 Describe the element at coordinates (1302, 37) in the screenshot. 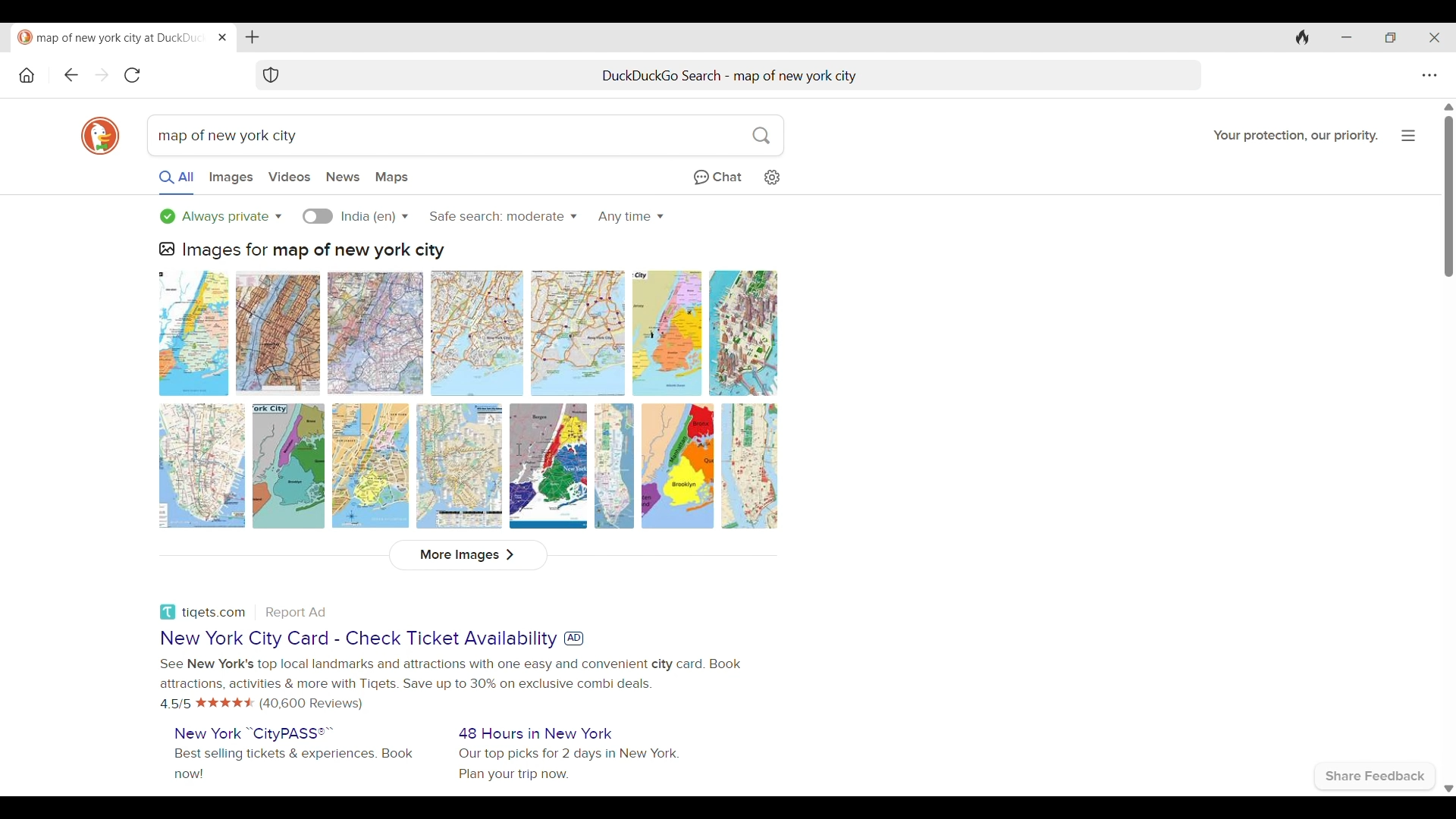

I see `Clear browsing history` at that location.